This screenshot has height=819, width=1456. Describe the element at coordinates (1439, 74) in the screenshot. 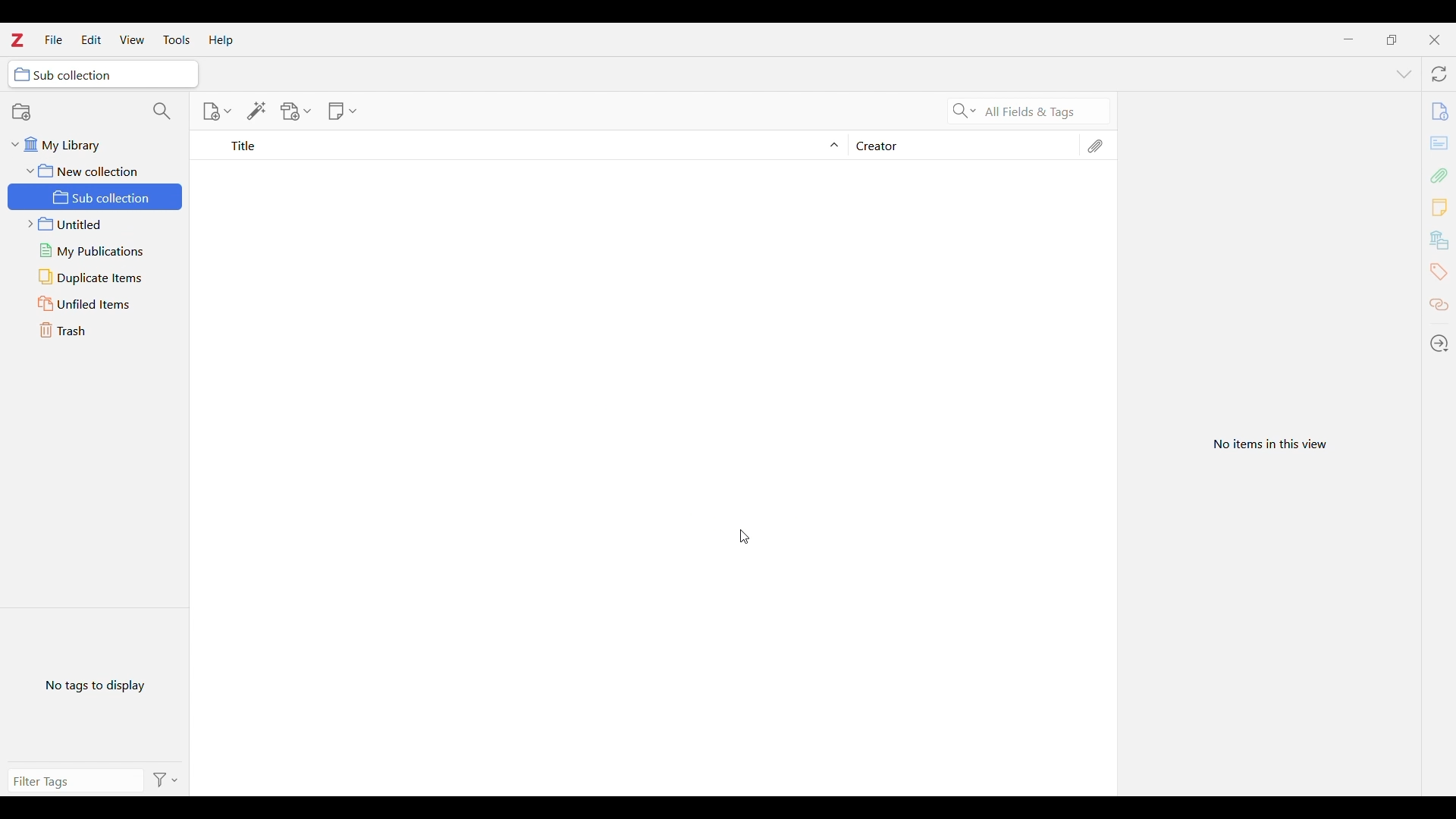

I see `Sync with zotero.org` at that location.